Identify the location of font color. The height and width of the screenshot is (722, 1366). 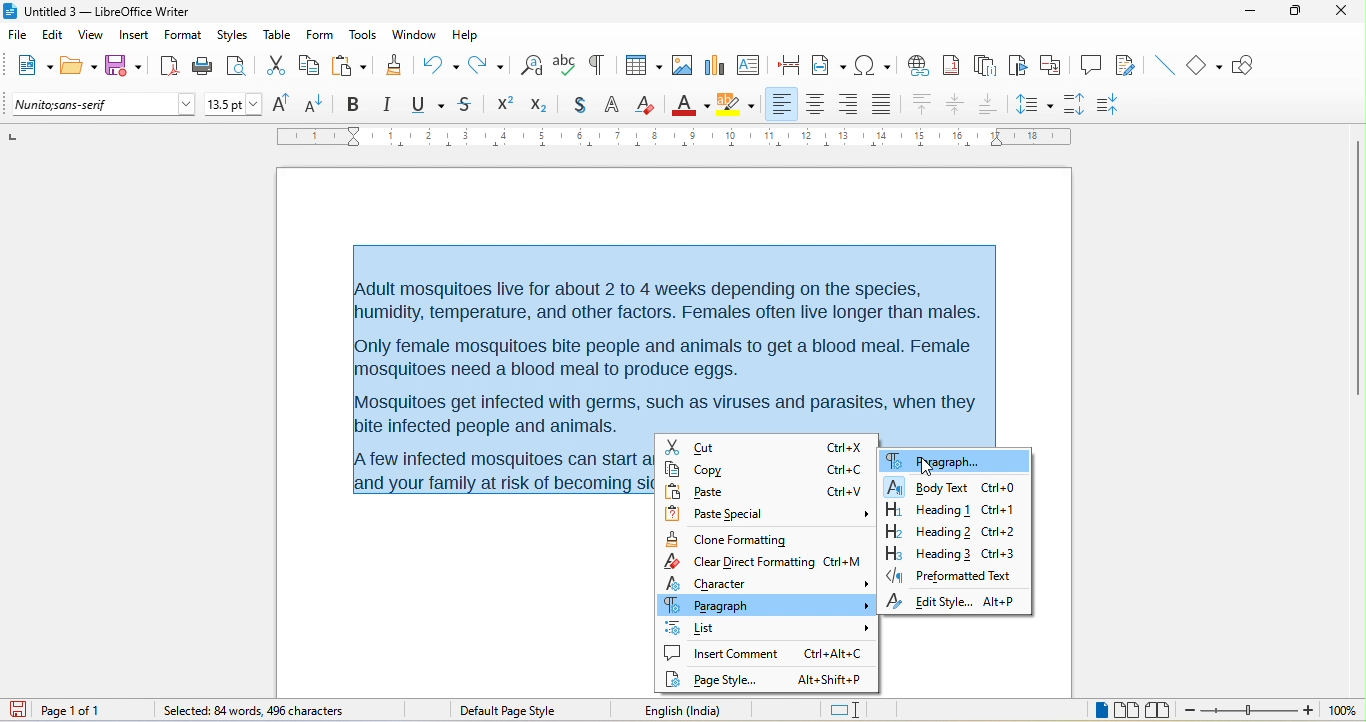
(691, 103).